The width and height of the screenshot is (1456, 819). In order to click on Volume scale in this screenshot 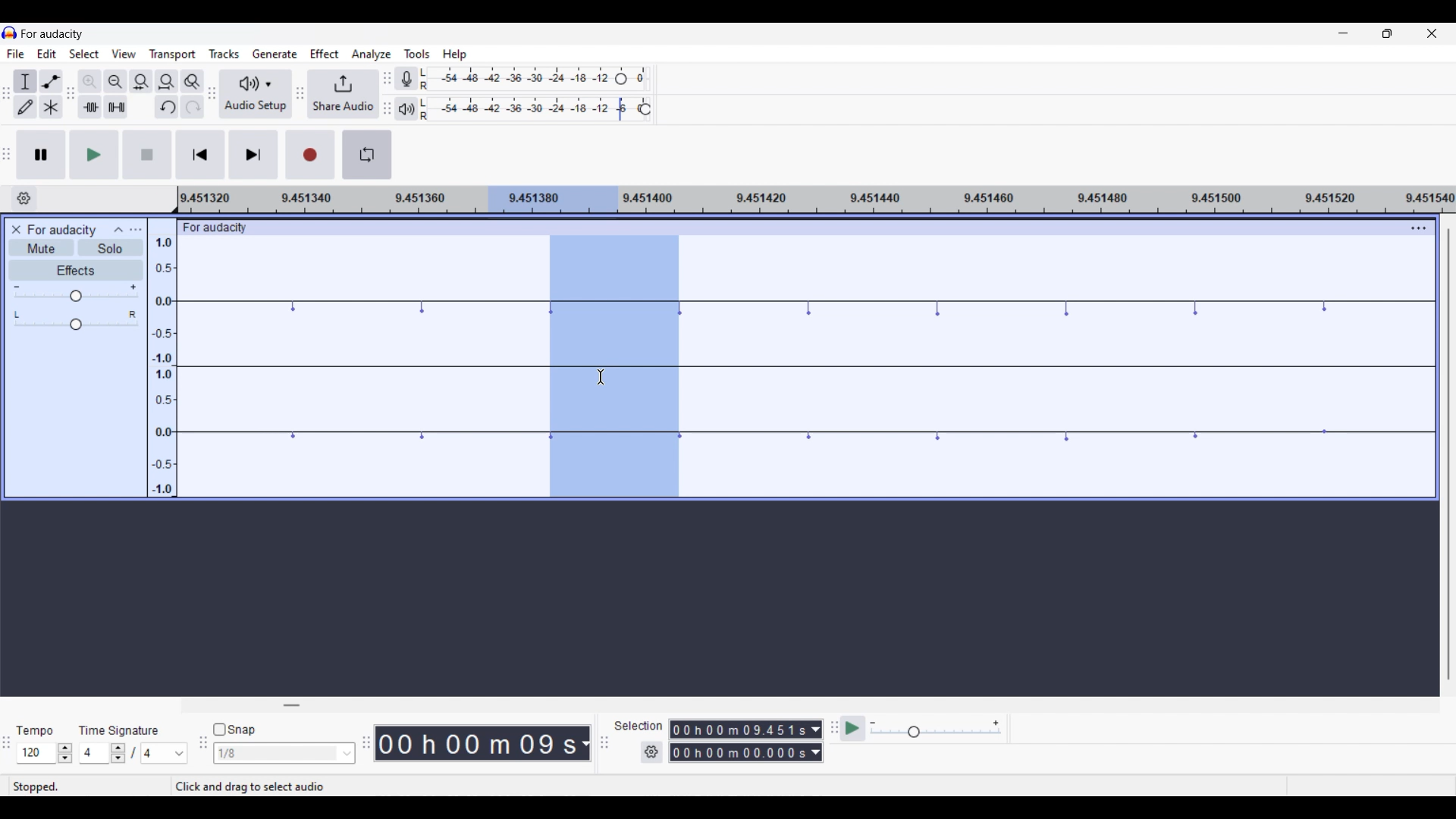, I will do `click(76, 293)`.